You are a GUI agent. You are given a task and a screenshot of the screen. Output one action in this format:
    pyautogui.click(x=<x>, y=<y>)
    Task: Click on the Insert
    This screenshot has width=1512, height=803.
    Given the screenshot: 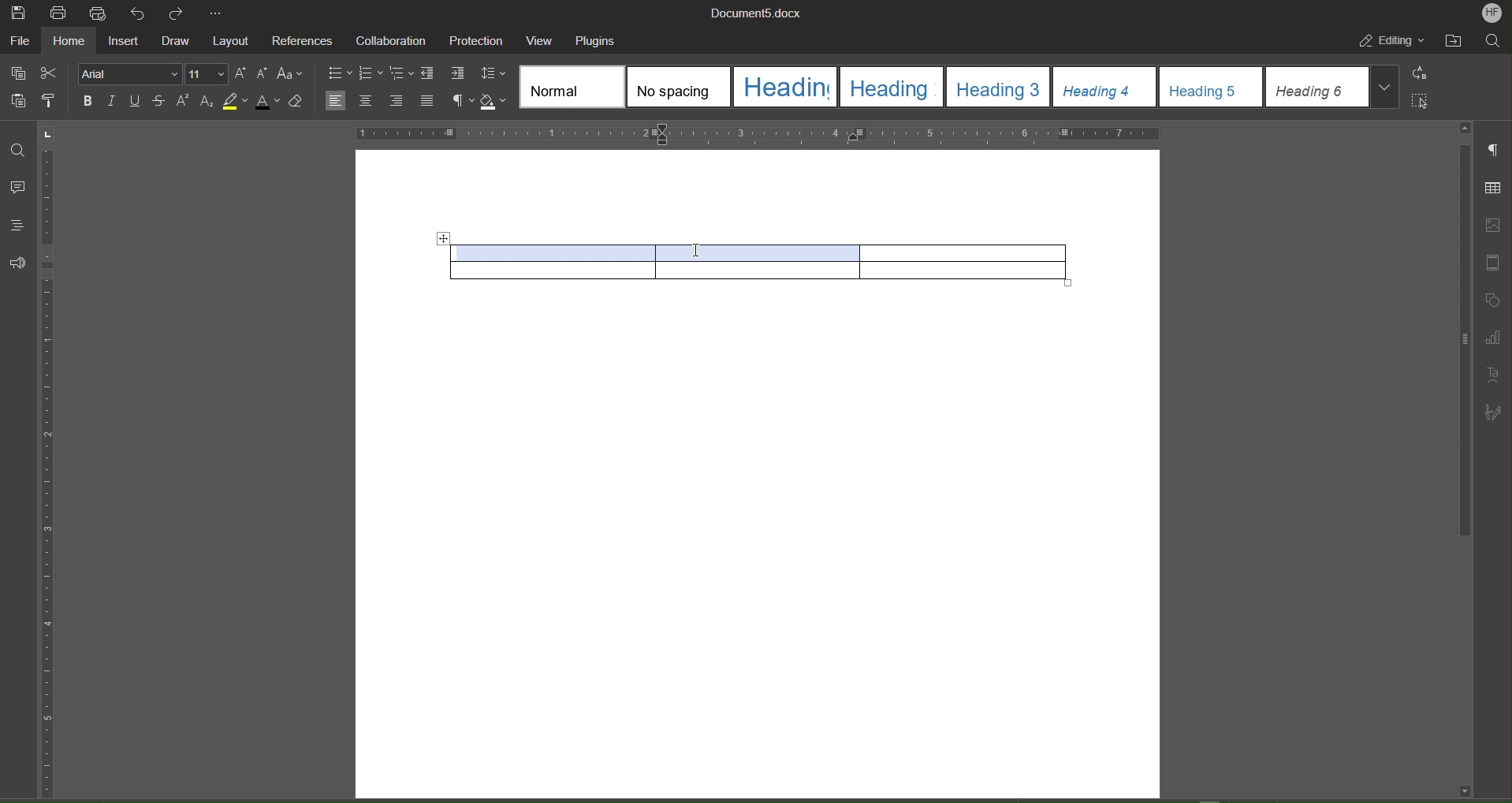 What is the action you would take?
    pyautogui.click(x=127, y=43)
    